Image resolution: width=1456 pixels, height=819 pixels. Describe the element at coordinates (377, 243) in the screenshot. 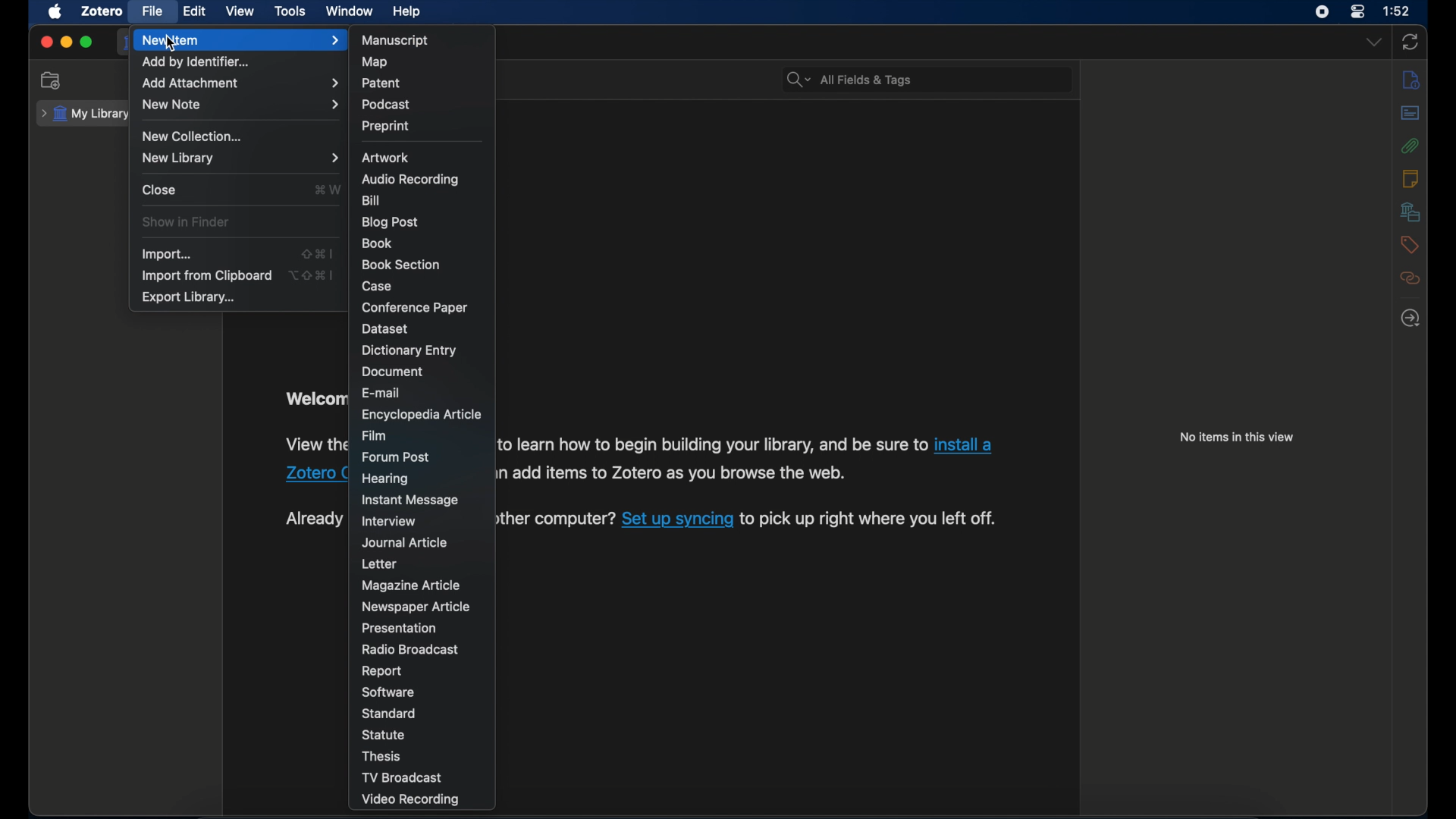

I see `book` at that location.